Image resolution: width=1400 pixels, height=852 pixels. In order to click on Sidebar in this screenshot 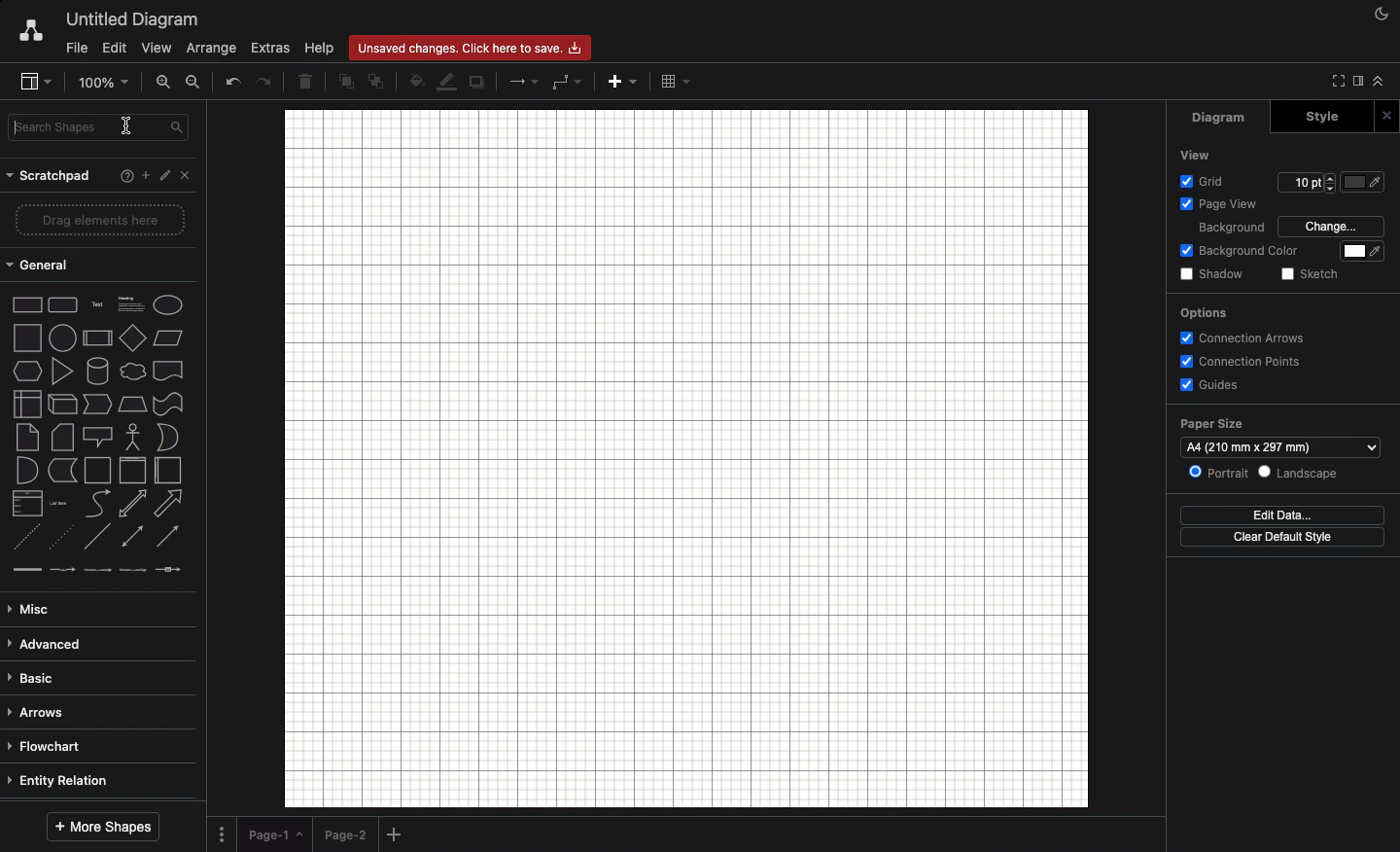, I will do `click(34, 82)`.